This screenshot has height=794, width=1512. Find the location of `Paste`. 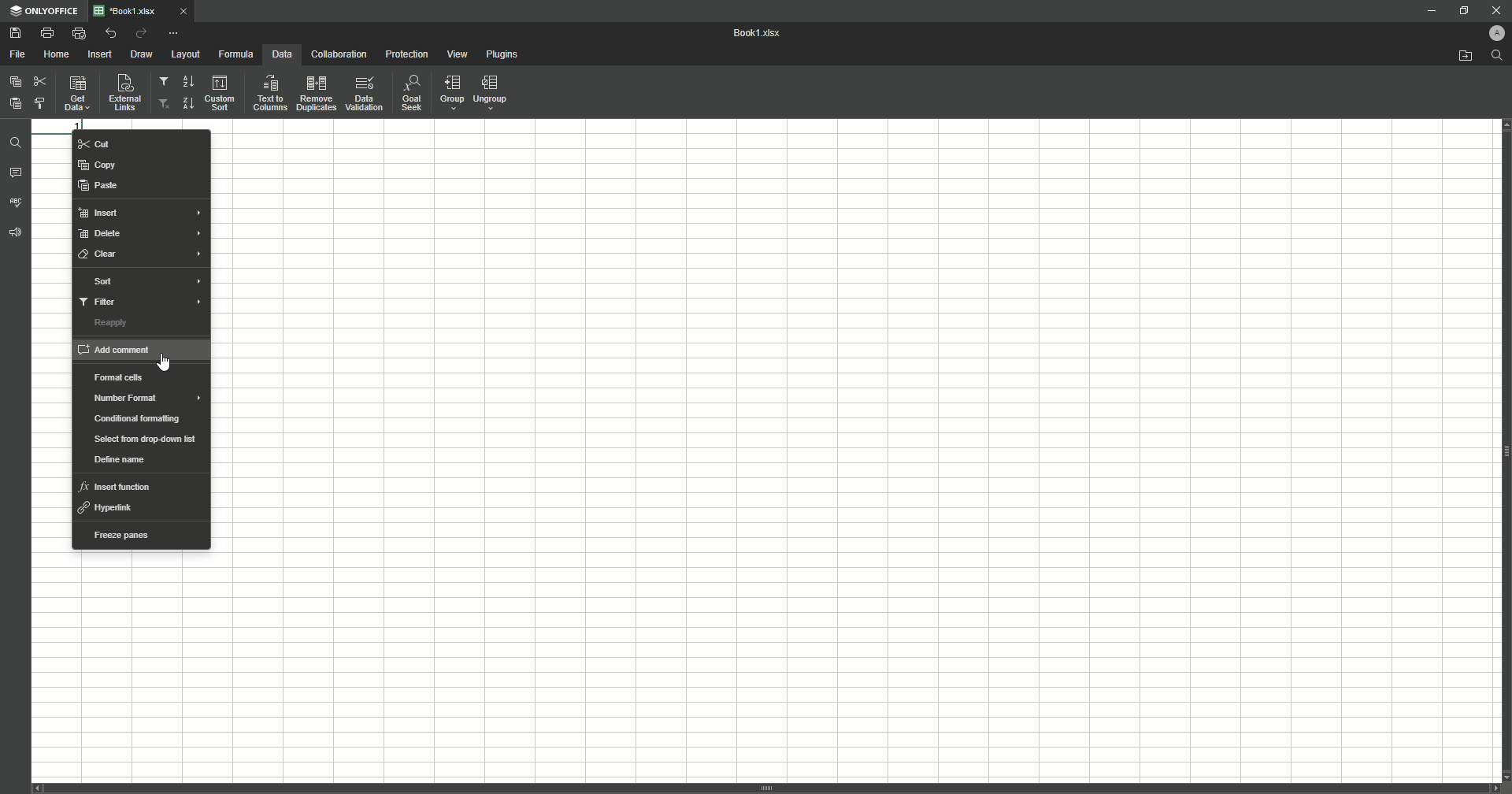

Paste is located at coordinates (16, 81).